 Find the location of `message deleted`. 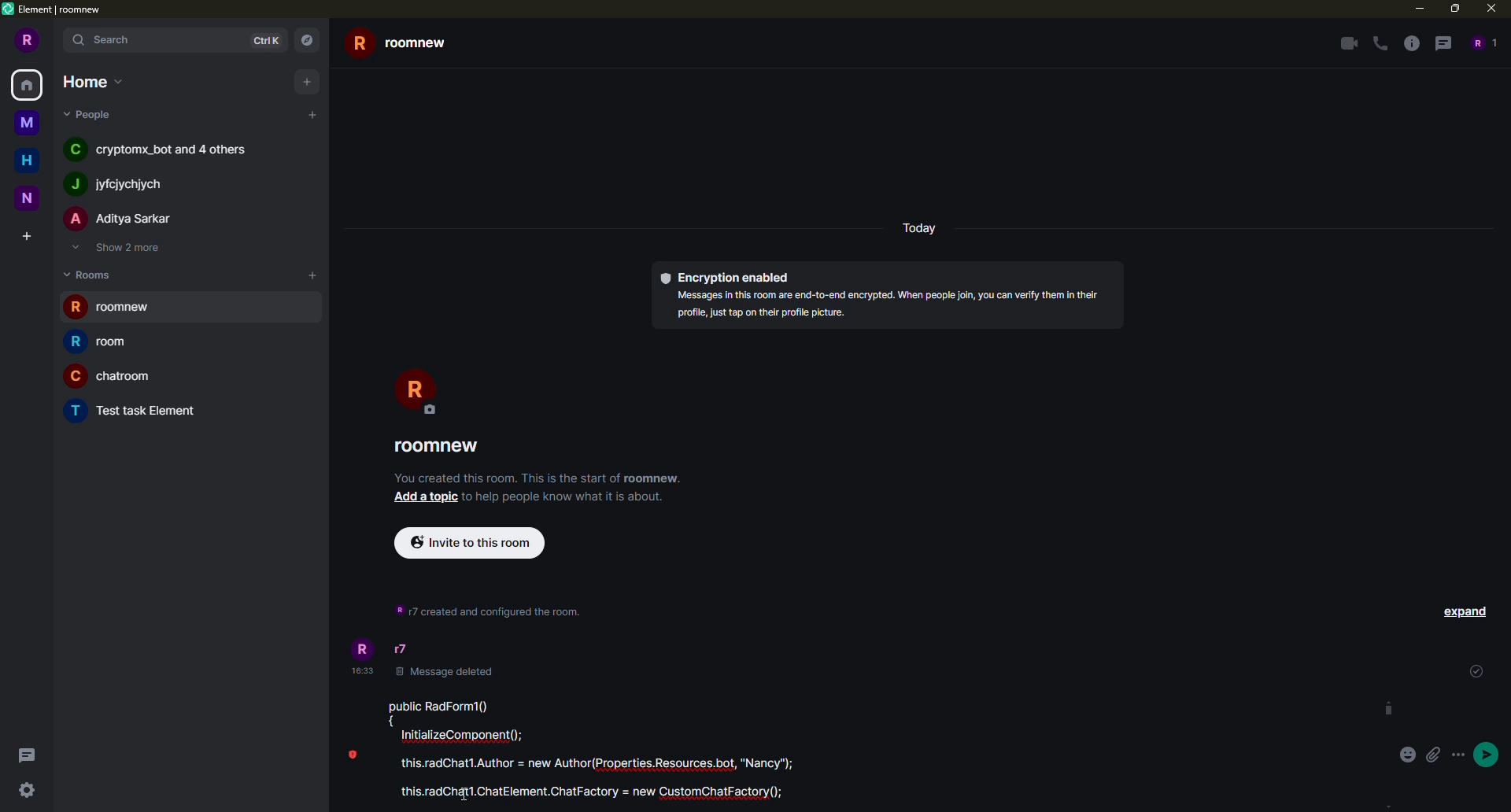

message deleted is located at coordinates (446, 671).